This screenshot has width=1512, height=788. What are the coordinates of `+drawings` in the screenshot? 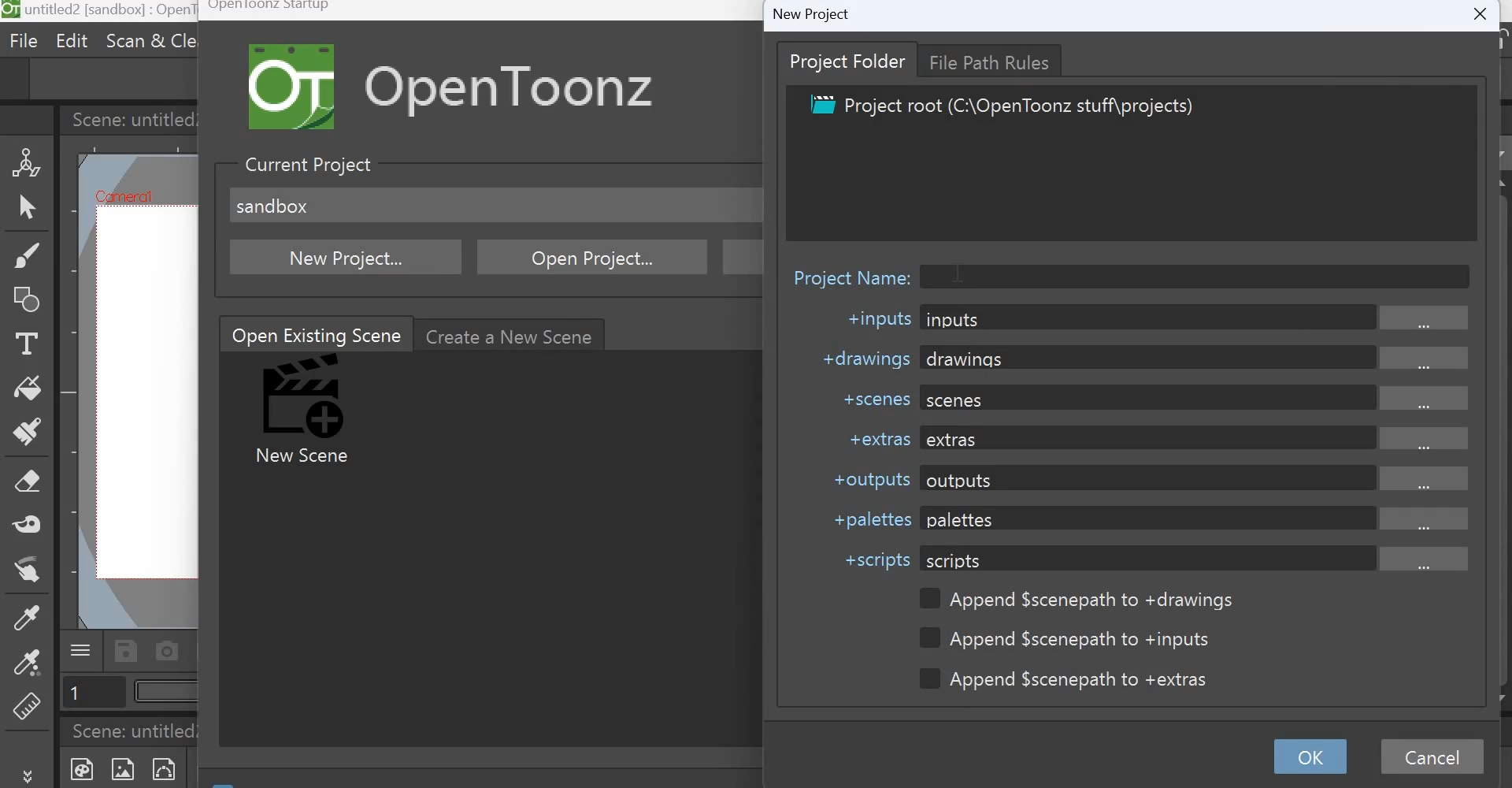 It's located at (862, 358).